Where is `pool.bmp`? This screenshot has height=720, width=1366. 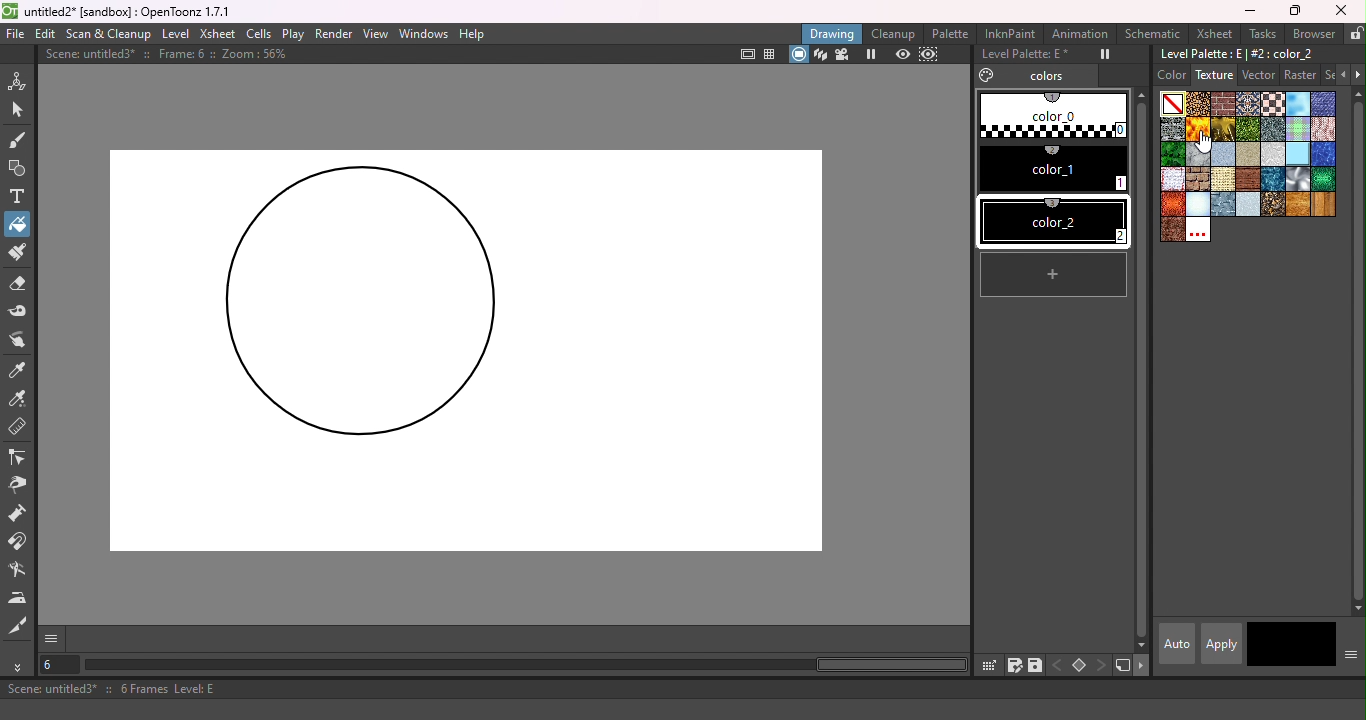 pool.bmp is located at coordinates (1323, 154).